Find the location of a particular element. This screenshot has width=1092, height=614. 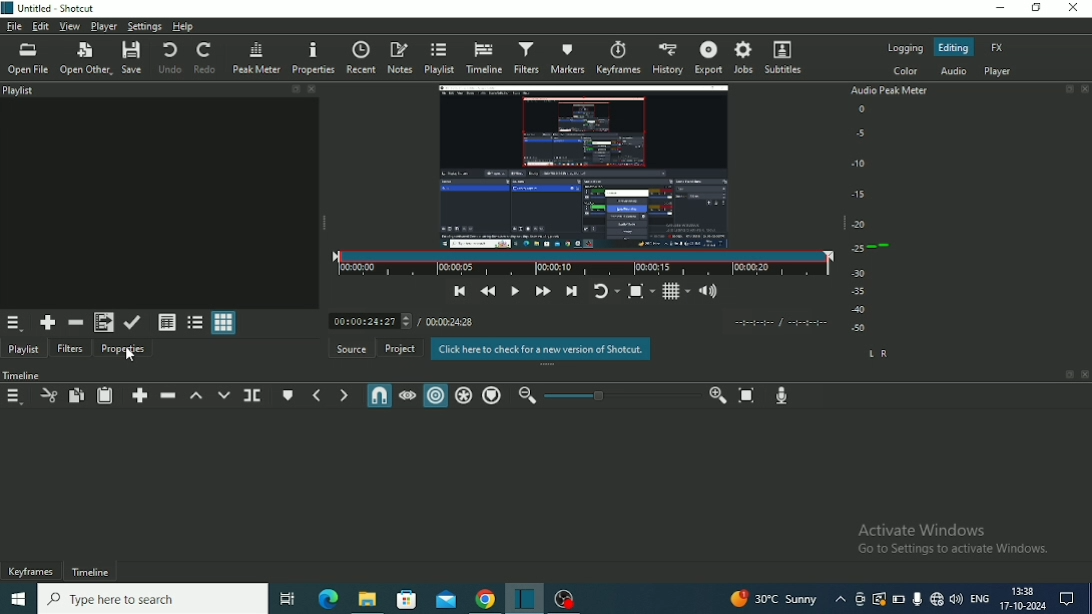

Timeline is located at coordinates (483, 57).